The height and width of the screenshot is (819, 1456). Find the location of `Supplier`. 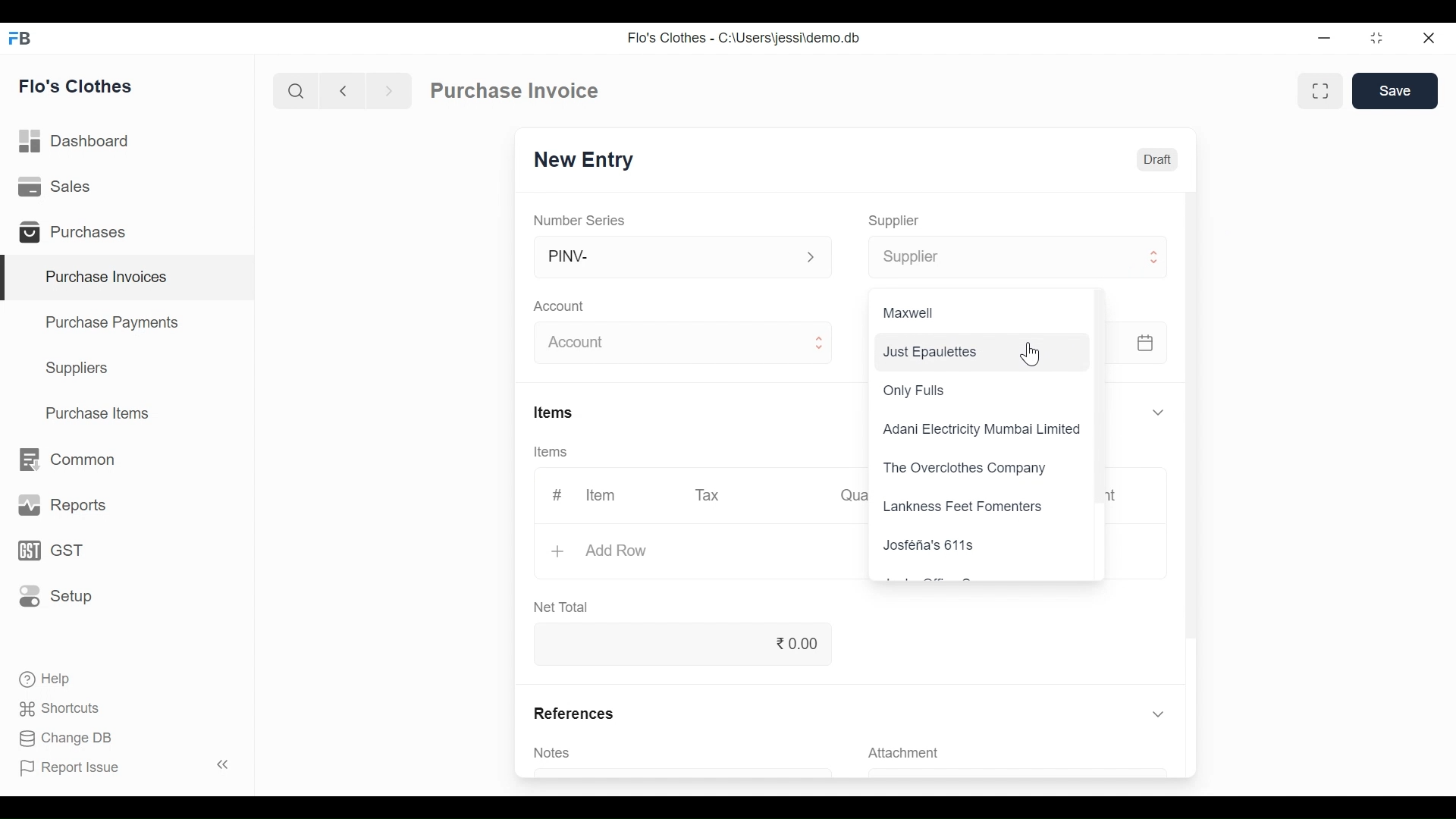

Supplier is located at coordinates (997, 258).